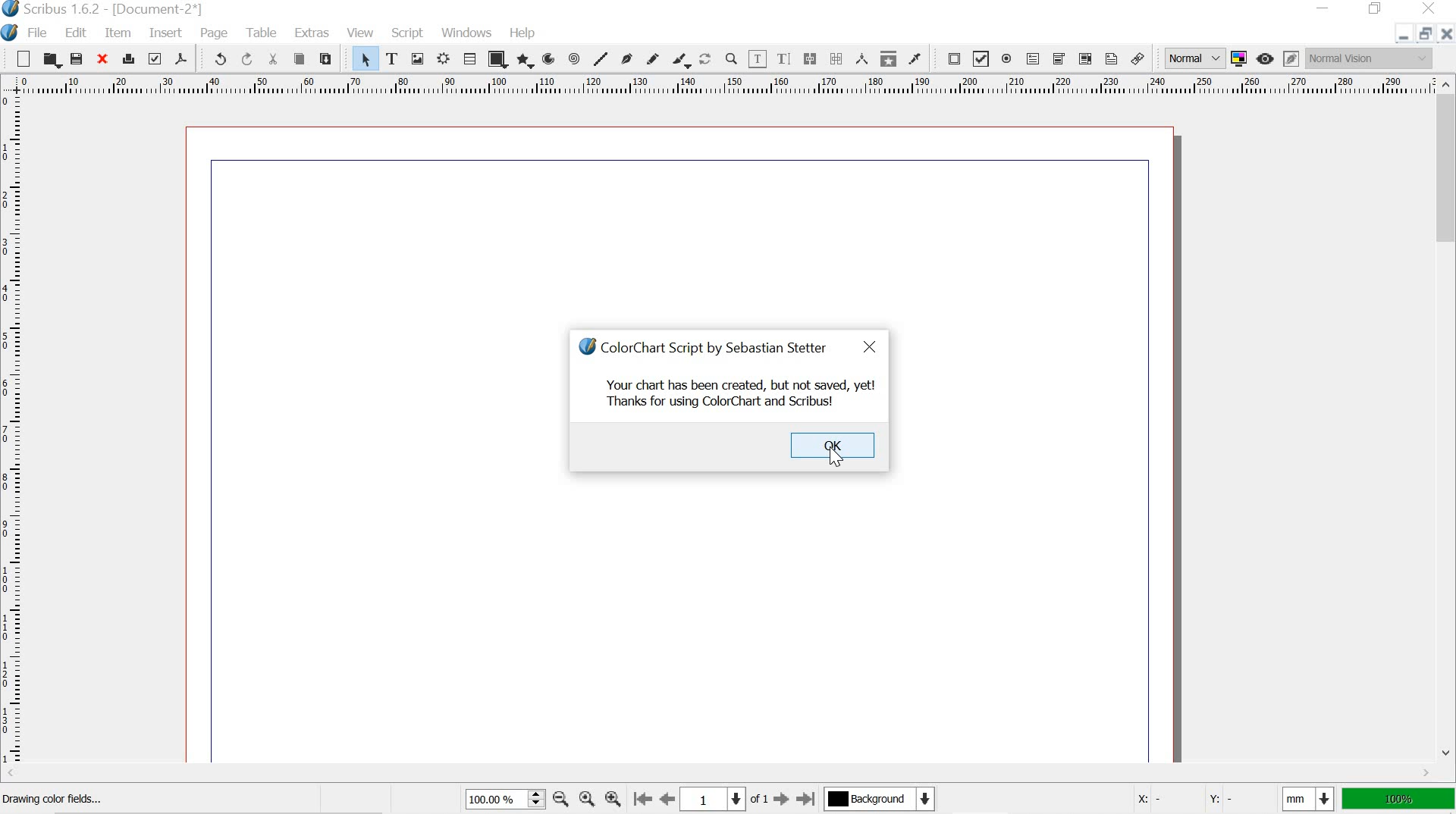 The height and width of the screenshot is (814, 1456). Describe the element at coordinates (1193, 58) in the screenshot. I see `Normal` at that location.